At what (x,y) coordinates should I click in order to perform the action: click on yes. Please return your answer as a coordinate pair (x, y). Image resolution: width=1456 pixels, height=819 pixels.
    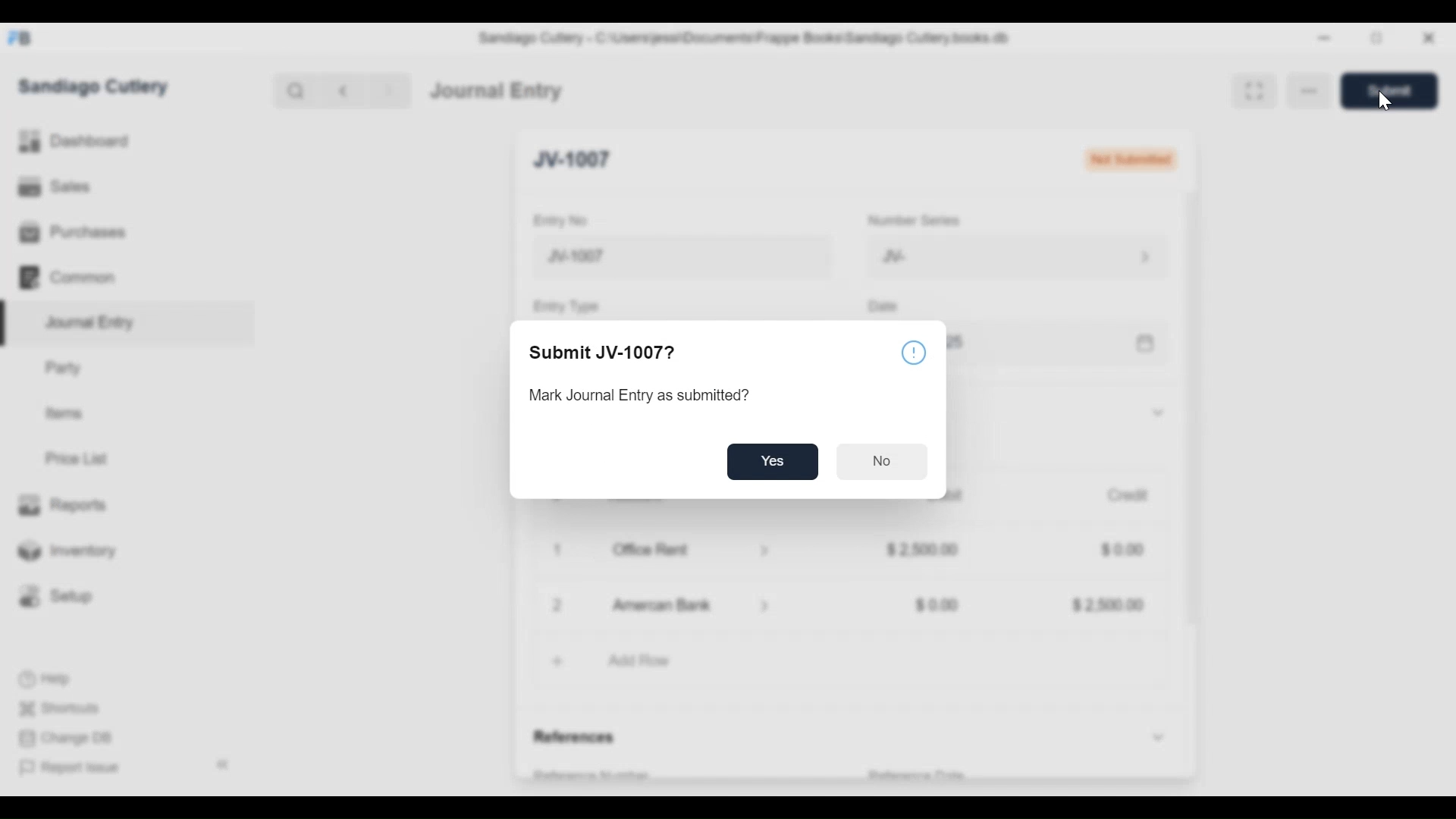
    Looking at the image, I should click on (773, 462).